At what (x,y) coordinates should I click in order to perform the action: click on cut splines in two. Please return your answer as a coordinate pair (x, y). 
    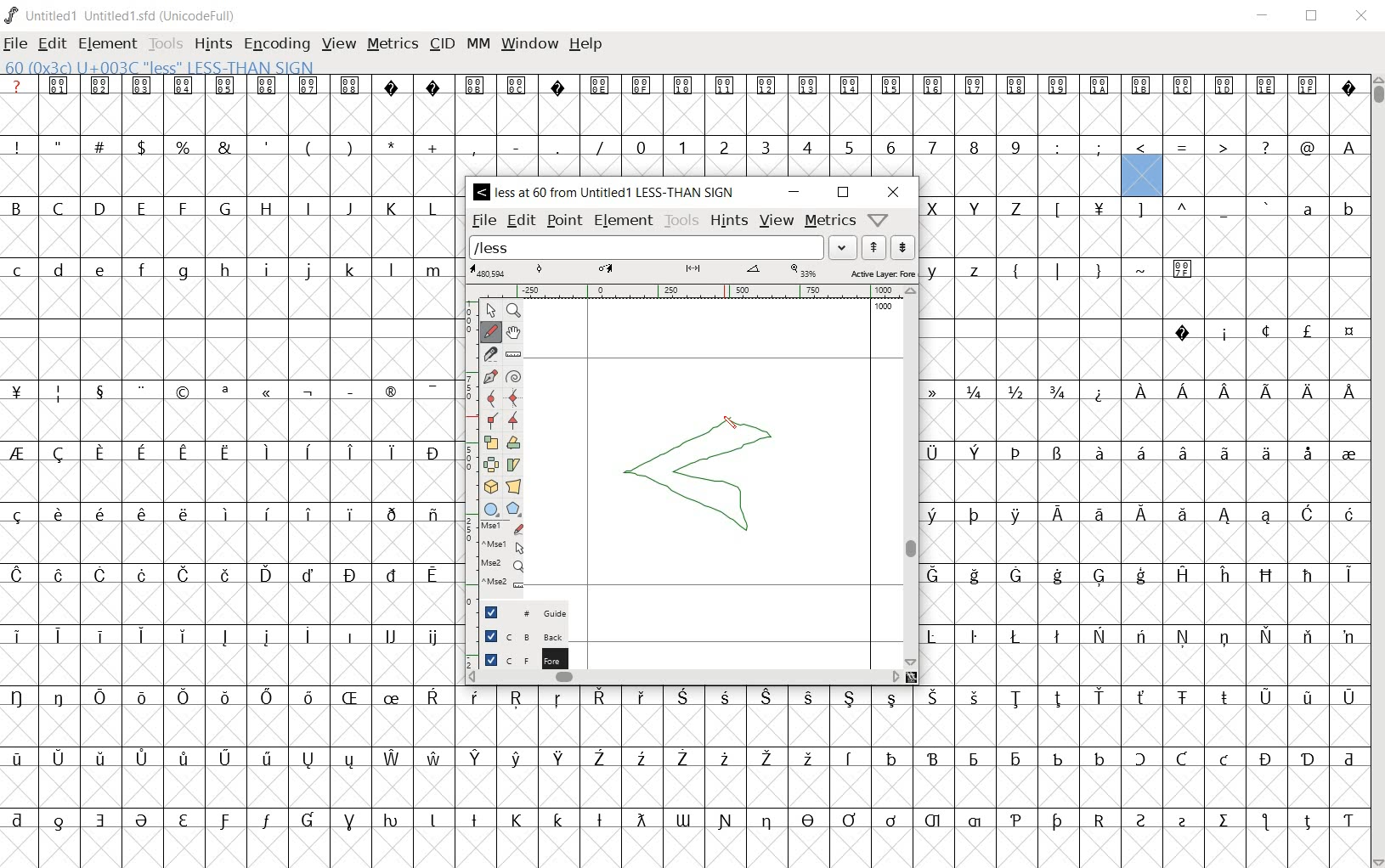
    Looking at the image, I should click on (490, 353).